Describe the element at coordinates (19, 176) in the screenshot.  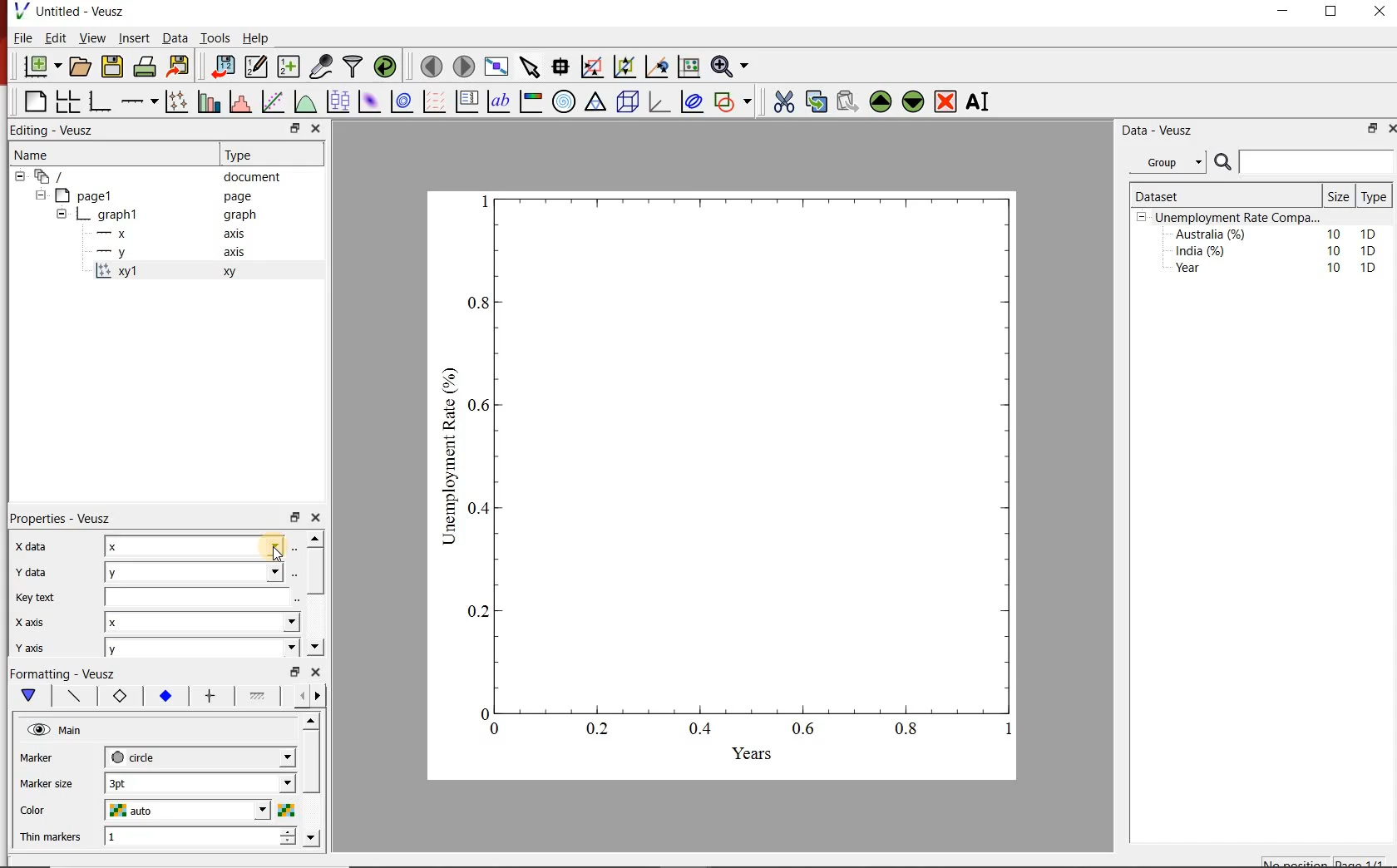
I see `collapse` at that location.